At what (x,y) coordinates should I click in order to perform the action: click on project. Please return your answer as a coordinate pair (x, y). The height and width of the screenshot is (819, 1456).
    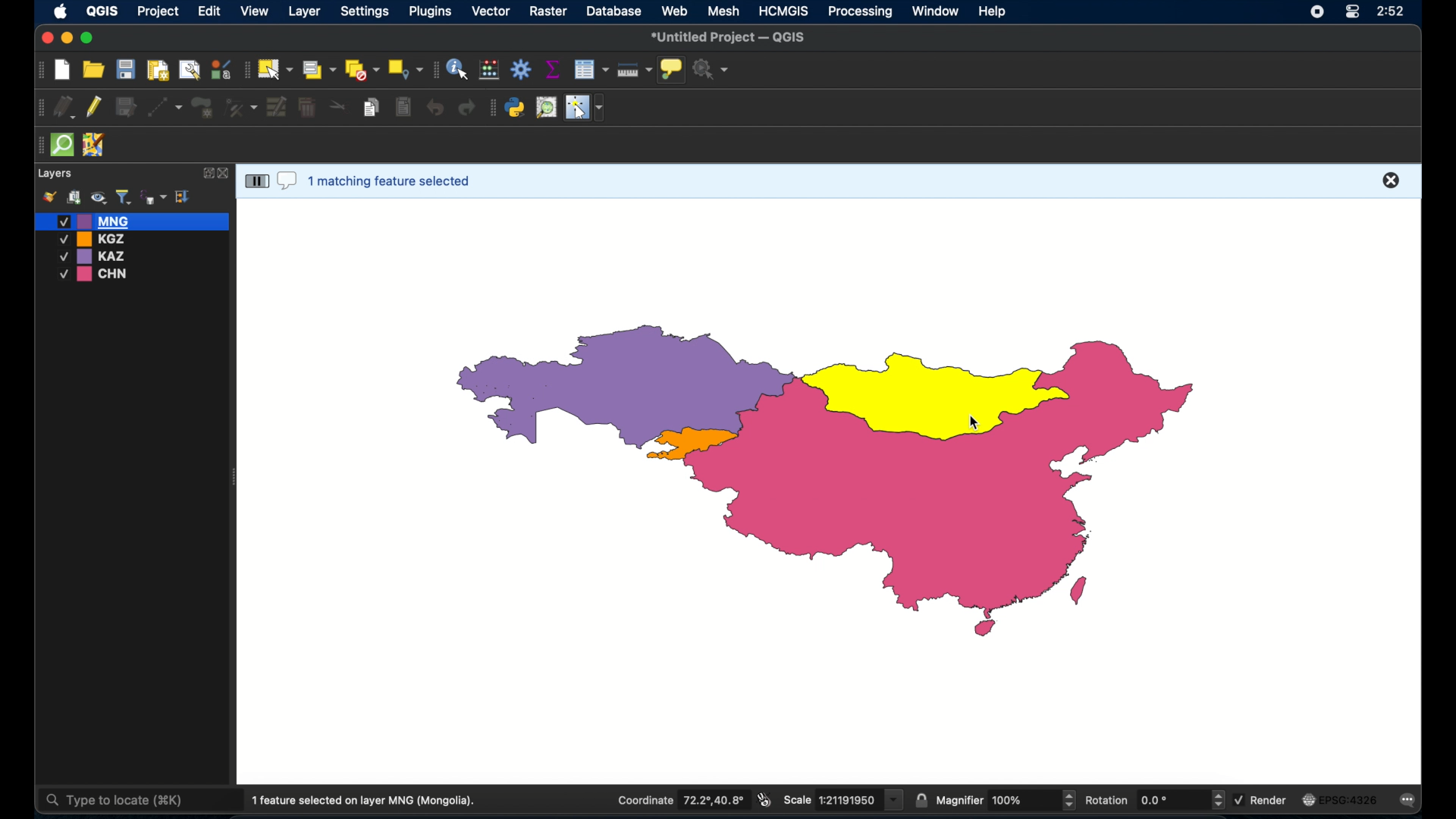
    Looking at the image, I should click on (158, 12).